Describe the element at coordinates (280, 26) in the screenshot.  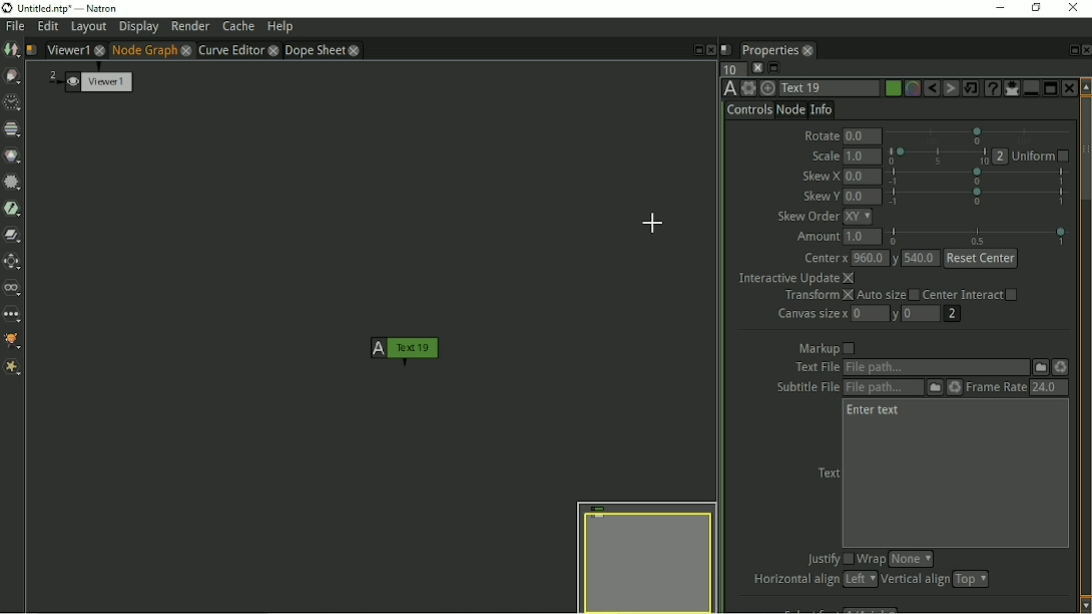
I see `Help` at that location.